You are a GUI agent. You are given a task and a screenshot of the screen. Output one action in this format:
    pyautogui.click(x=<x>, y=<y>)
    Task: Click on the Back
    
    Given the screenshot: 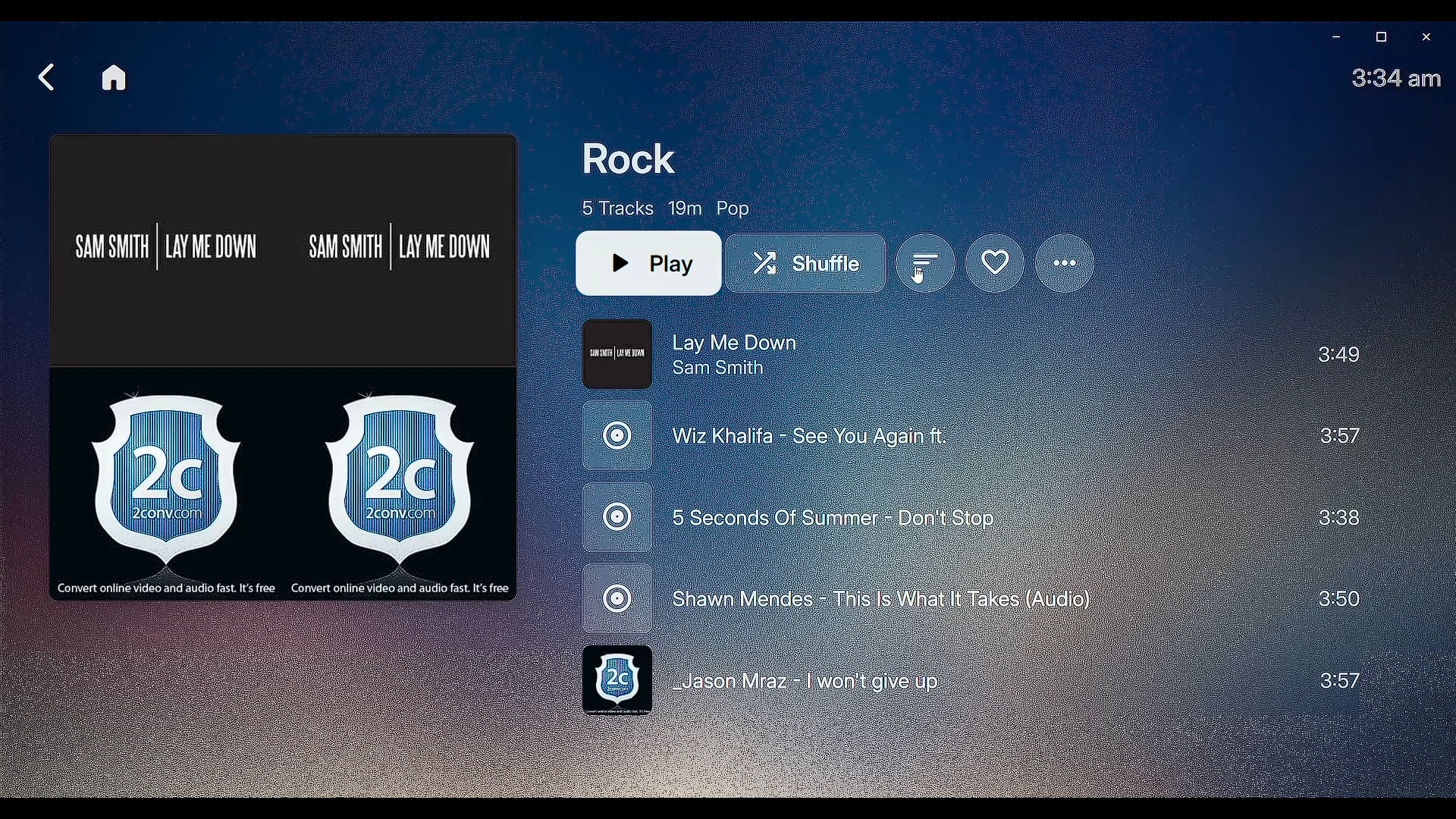 What is the action you would take?
    pyautogui.click(x=45, y=77)
    